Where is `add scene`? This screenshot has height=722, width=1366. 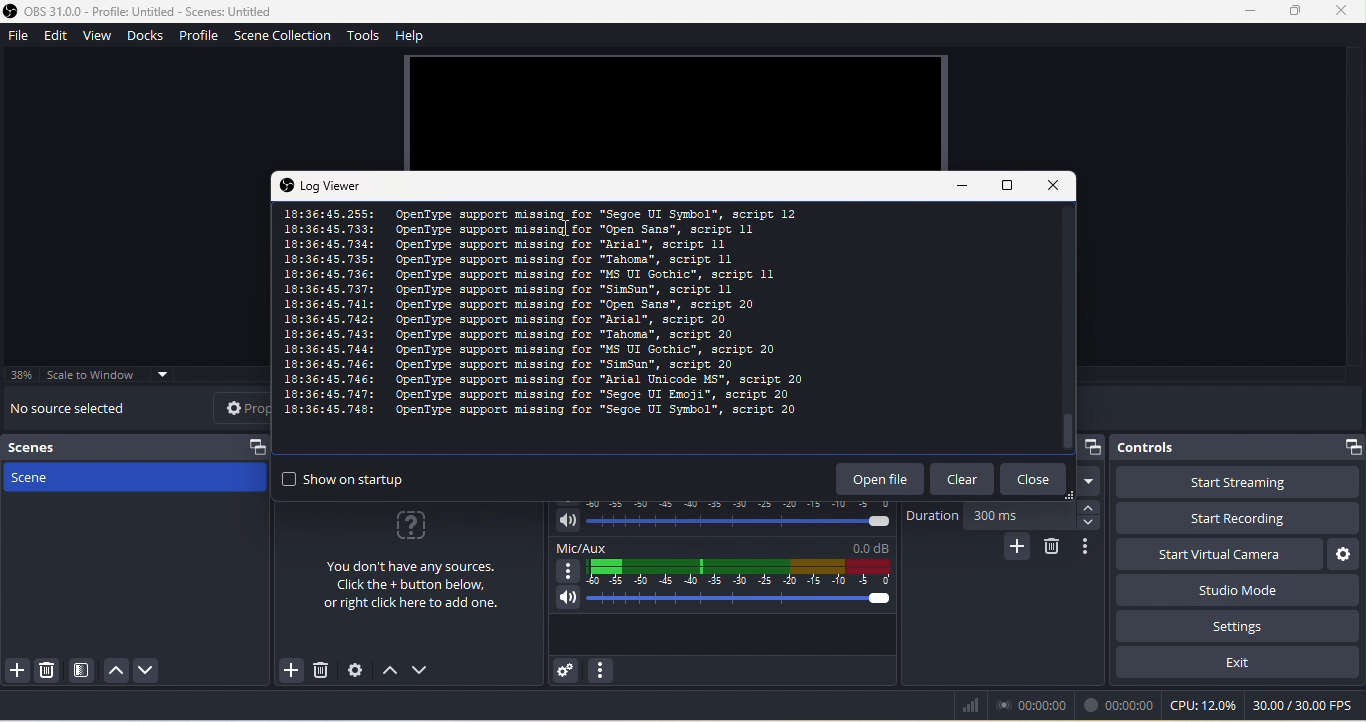
add scene is located at coordinates (17, 673).